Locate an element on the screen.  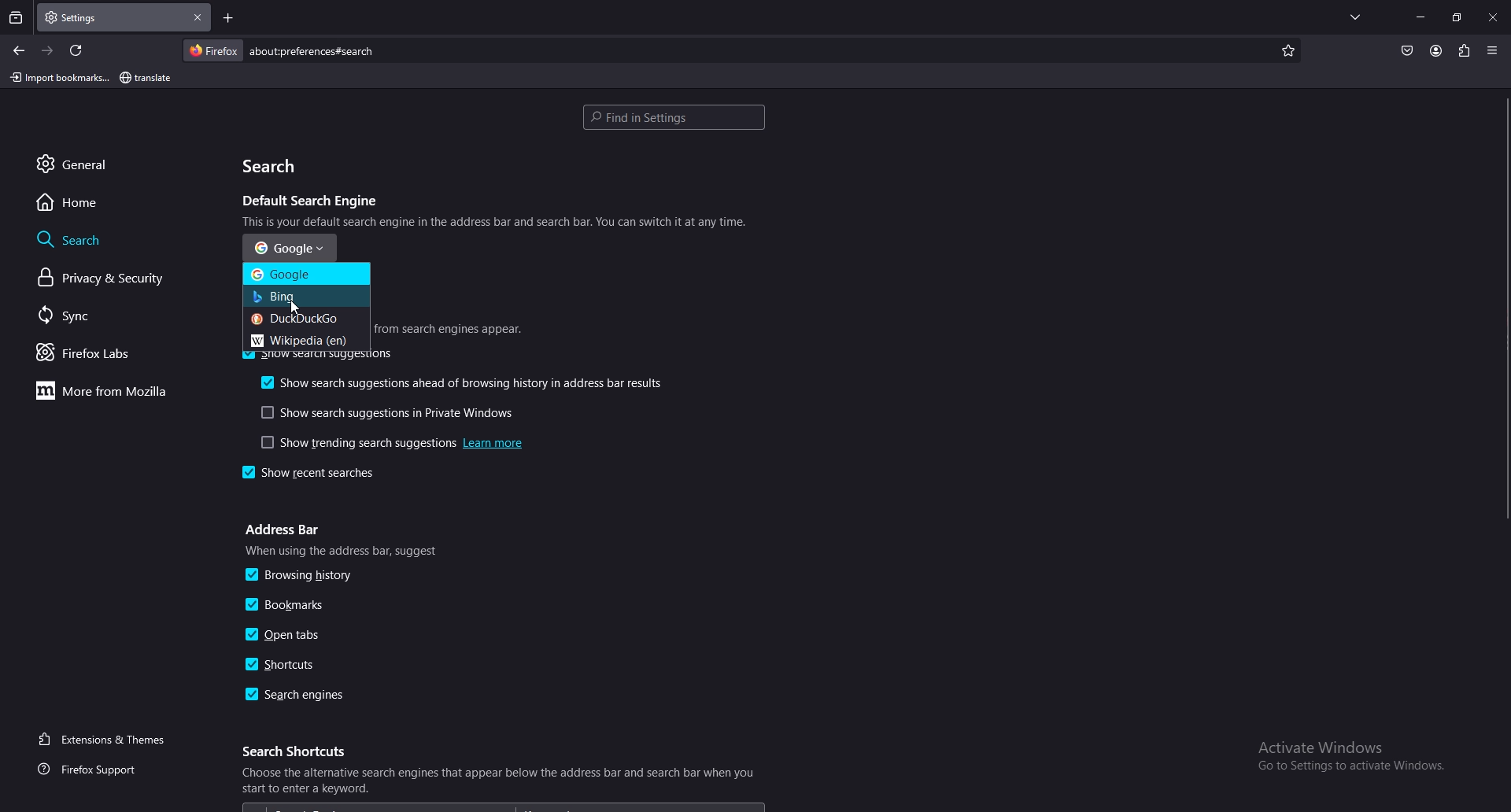
close is located at coordinates (1492, 18).